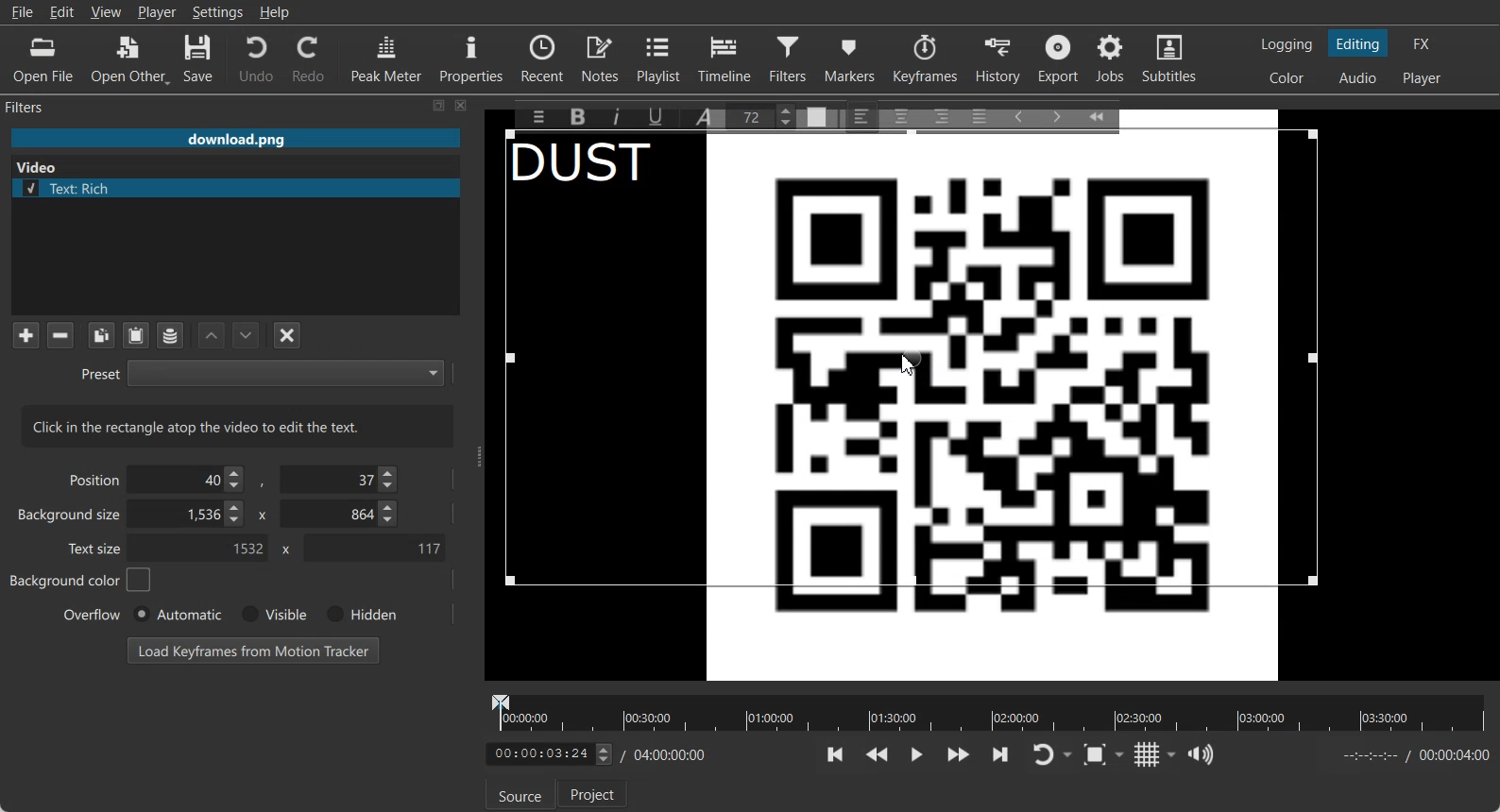 The image size is (1500, 812). I want to click on Text, so click(594, 166).